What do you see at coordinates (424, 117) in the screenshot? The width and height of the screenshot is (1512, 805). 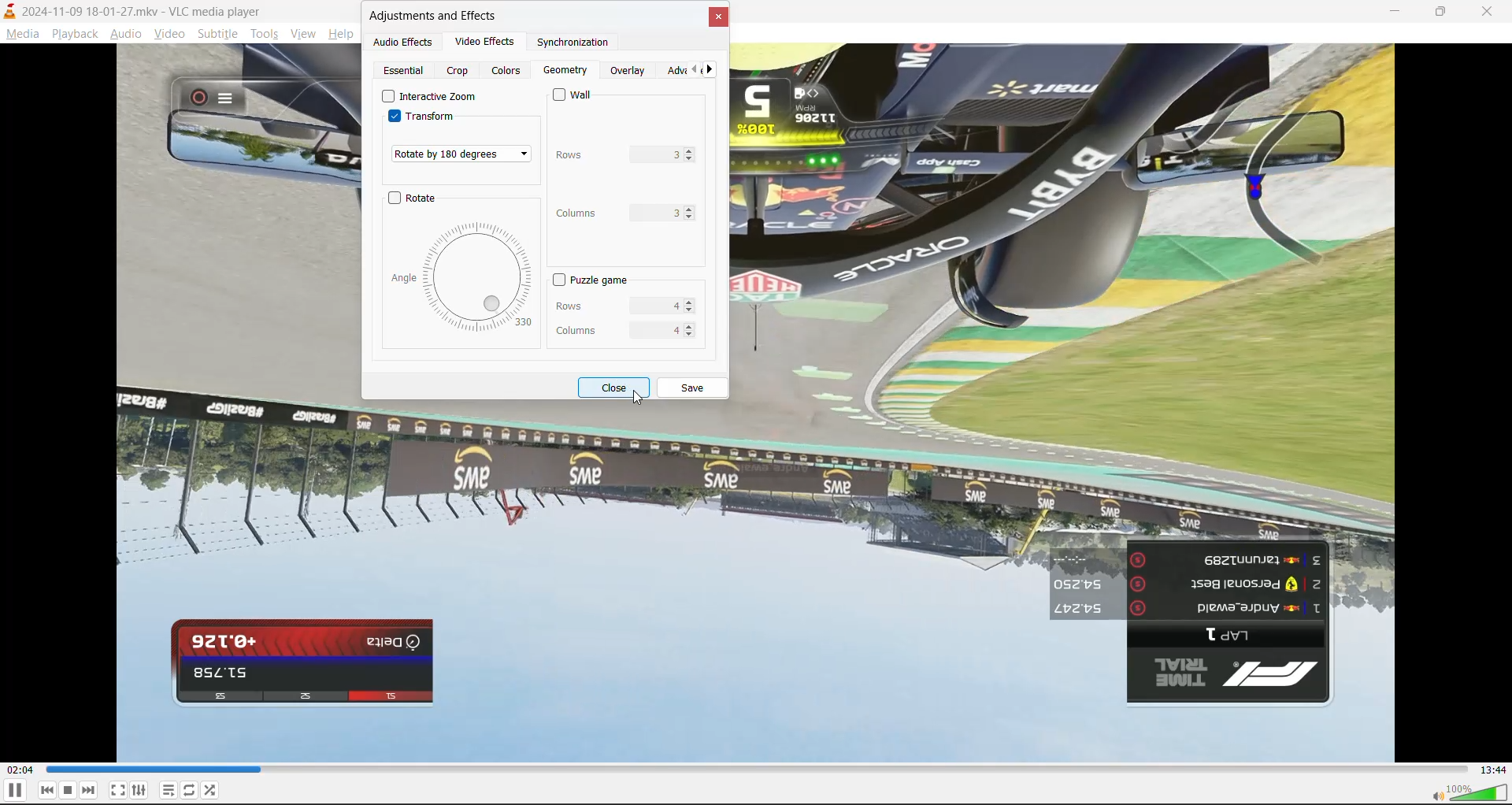 I see `transform` at bounding box center [424, 117].